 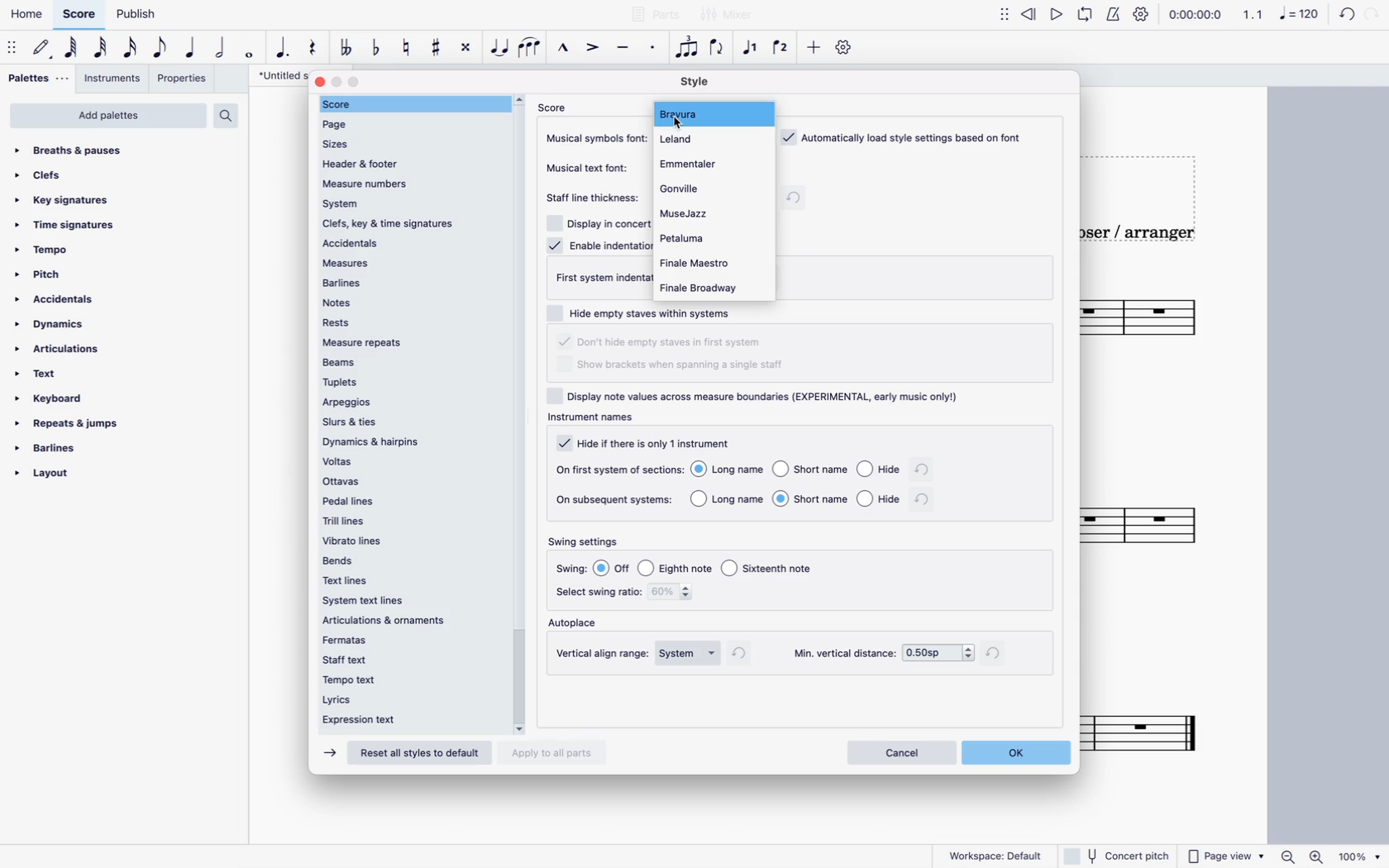 I want to click on #, so click(x=435, y=46).